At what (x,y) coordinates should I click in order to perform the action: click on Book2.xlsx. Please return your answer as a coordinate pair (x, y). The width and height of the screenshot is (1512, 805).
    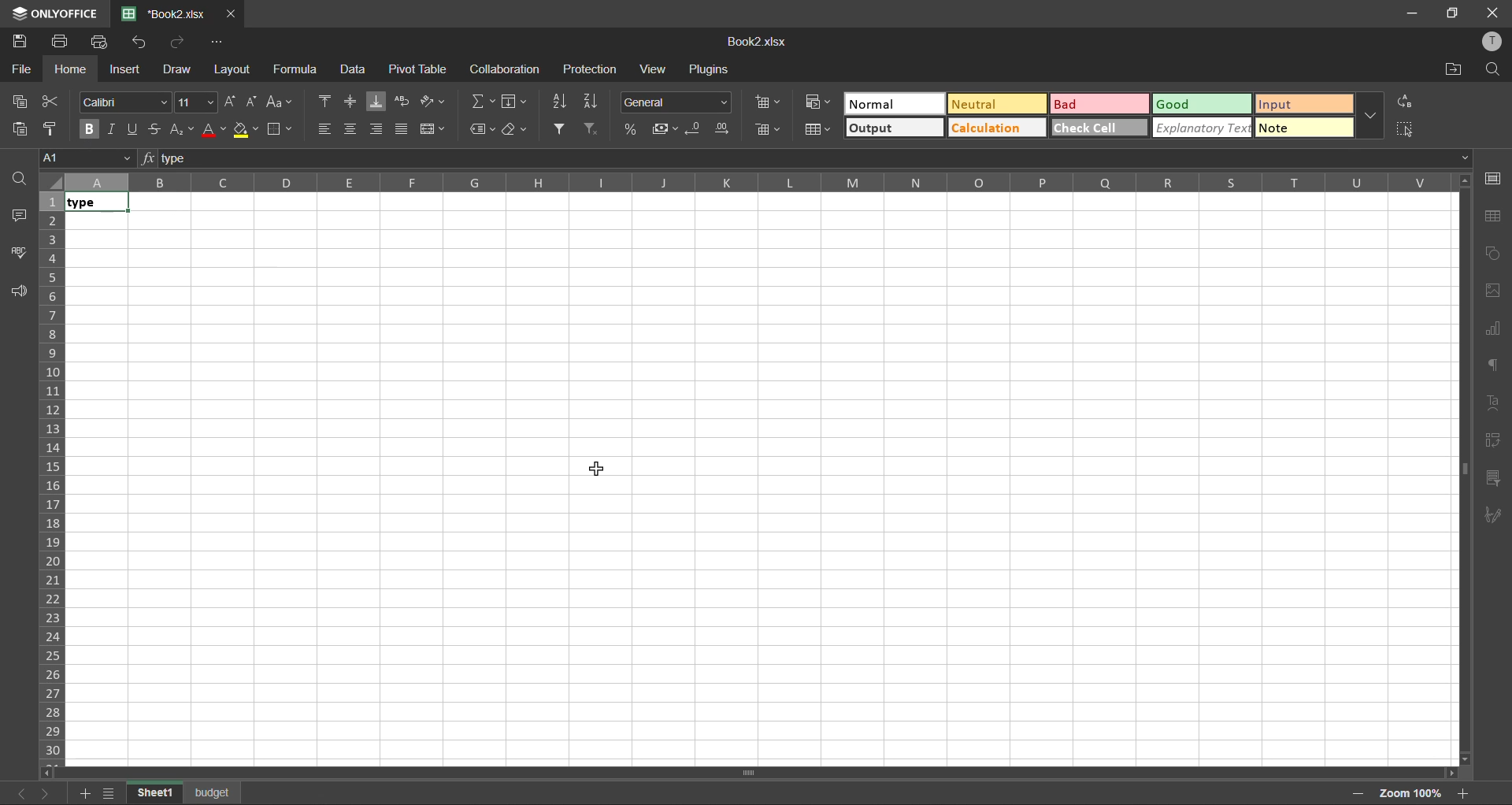
    Looking at the image, I should click on (166, 14).